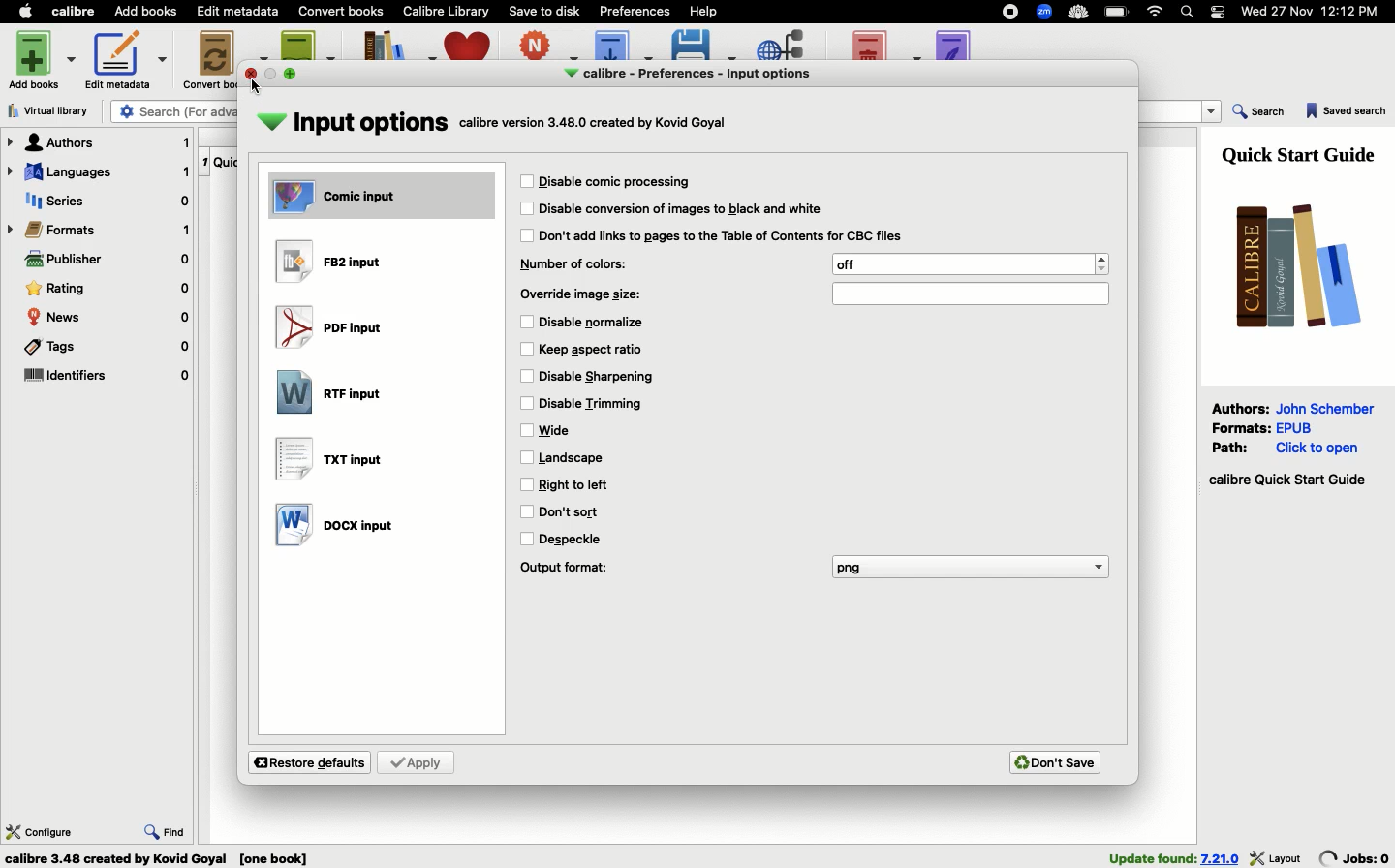 Image resolution: width=1395 pixels, height=868 pixels. Describe the element at coordinates (54, 110) in the screenshot. I see `Virtual library` at that location.